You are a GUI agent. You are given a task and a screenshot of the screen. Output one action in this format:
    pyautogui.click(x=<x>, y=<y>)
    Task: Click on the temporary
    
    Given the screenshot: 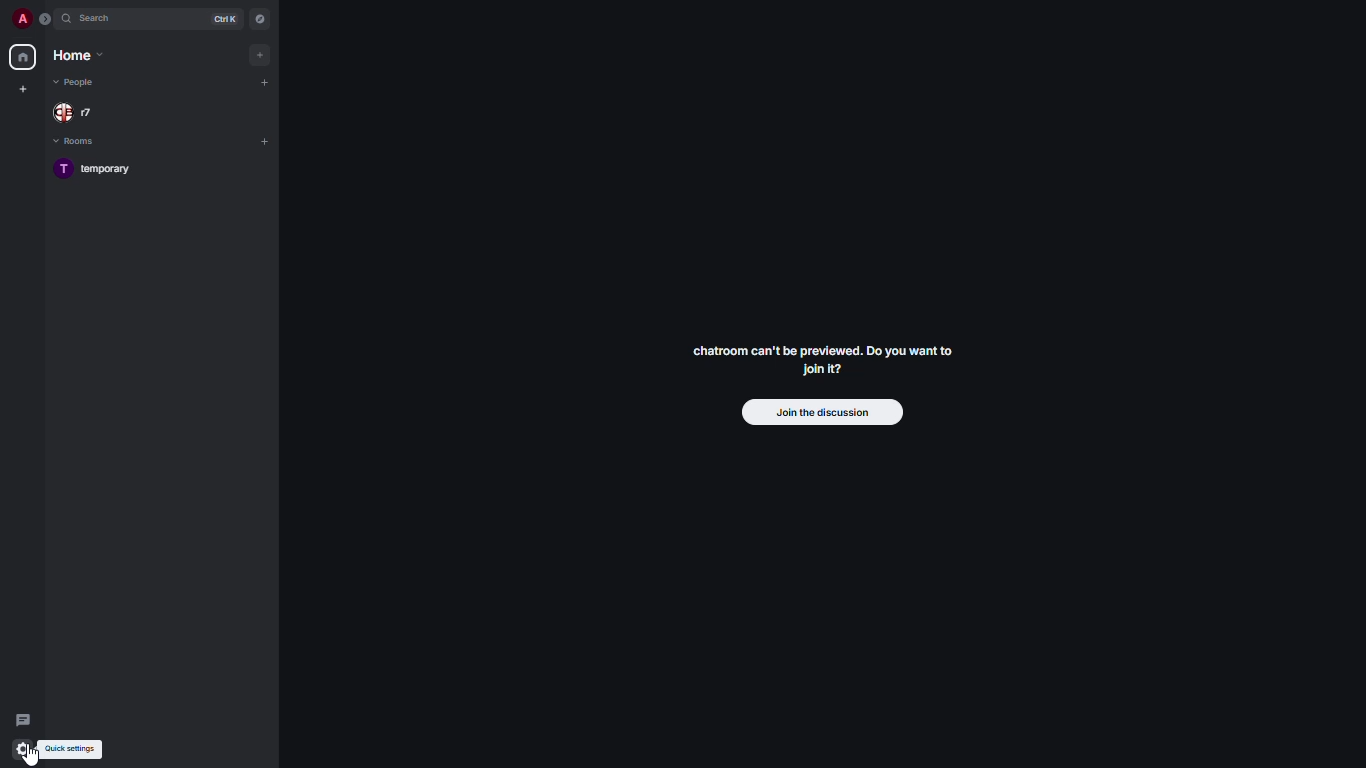 What is the action you would take?
    pyautogui.click(x=97, y=168)
    